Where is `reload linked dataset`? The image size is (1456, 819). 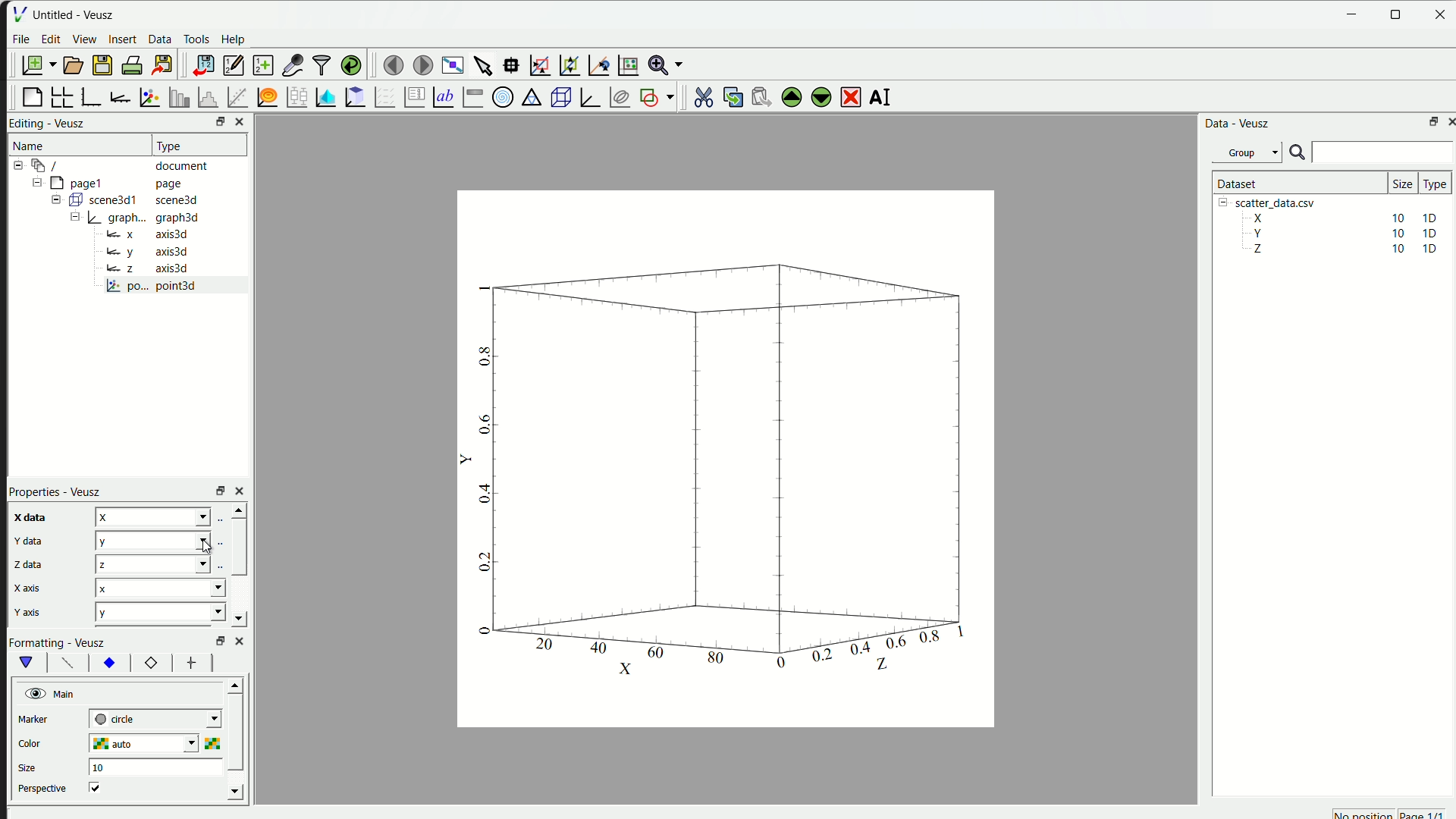
reload linked dataset is located at coordinates (352, 64).